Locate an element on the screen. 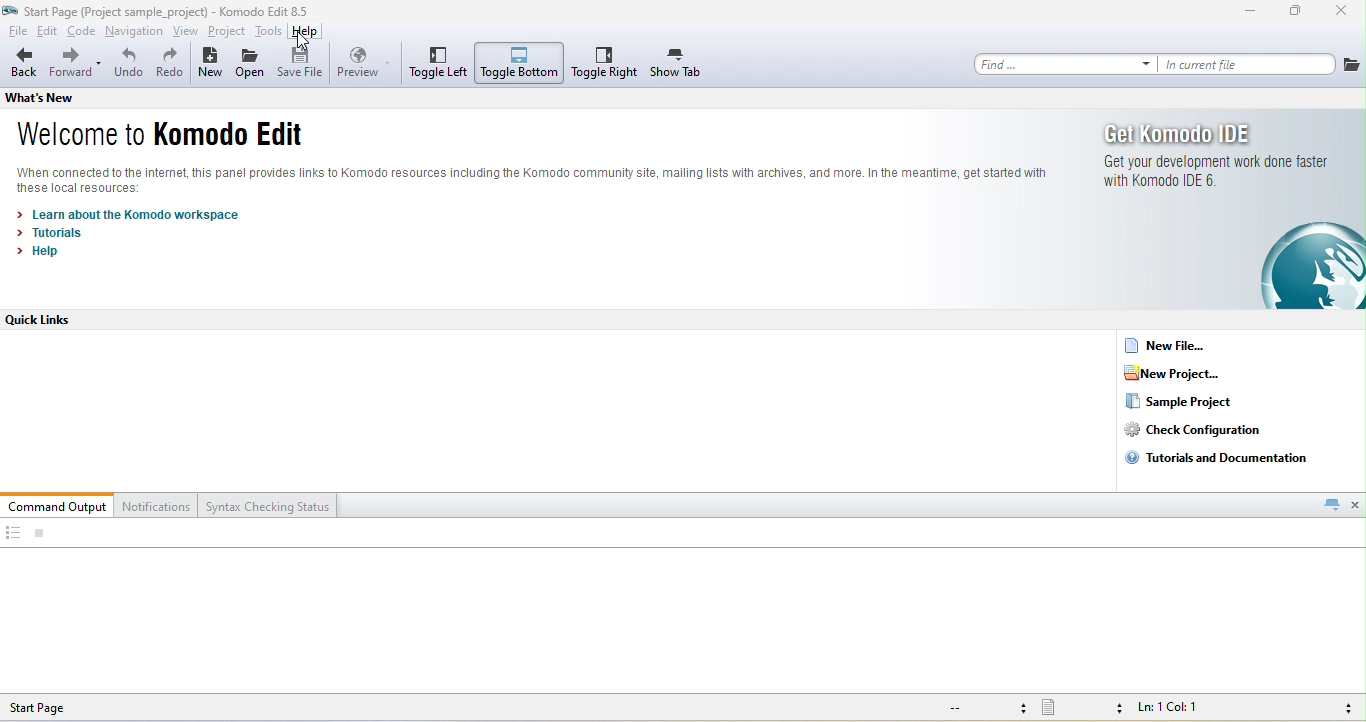  toggle left is located at coordinates (437, 63).